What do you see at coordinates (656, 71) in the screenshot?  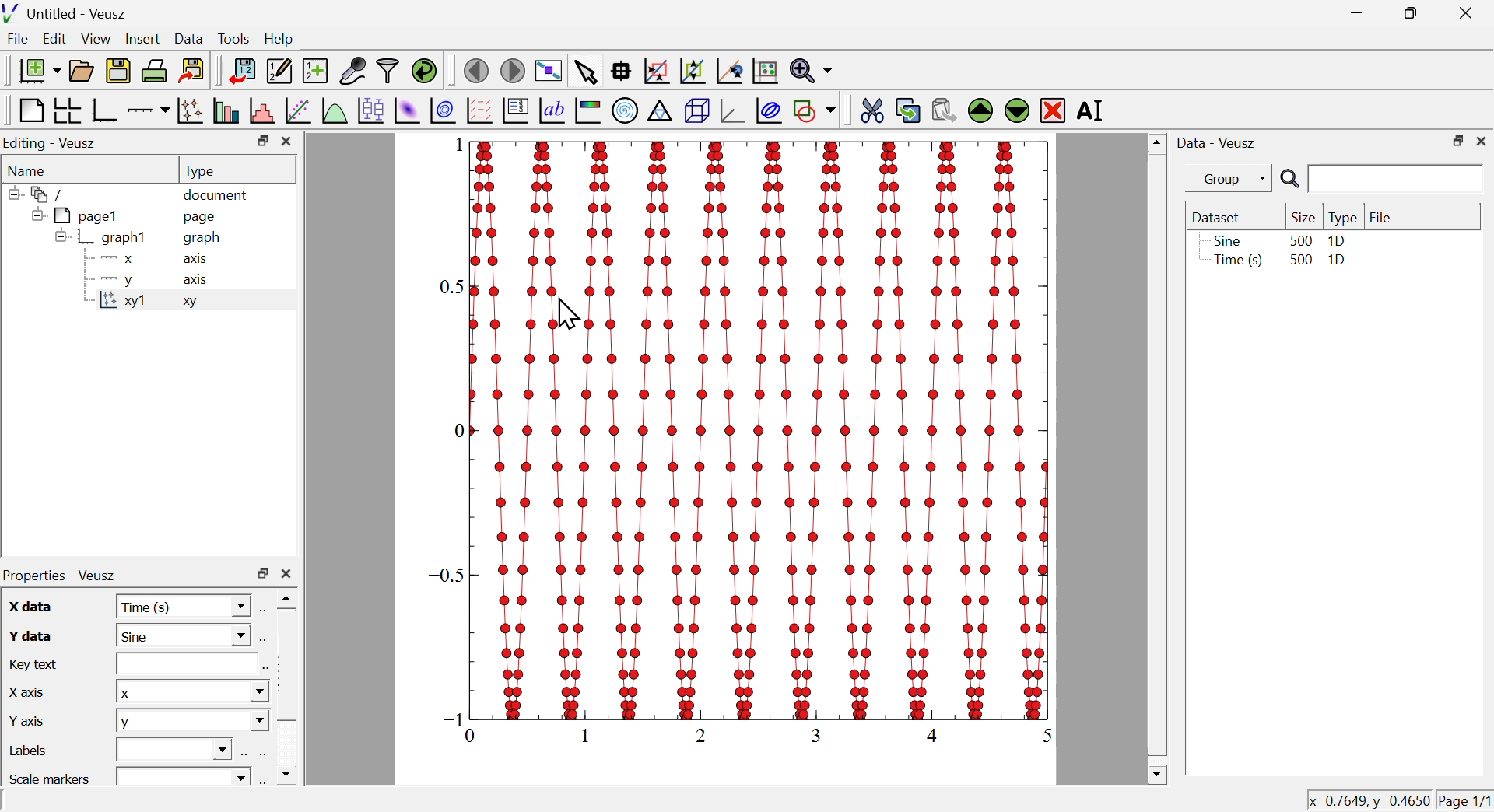 I see `draw a rectangle to zoom graph axes` at bounding box center [656, 71].